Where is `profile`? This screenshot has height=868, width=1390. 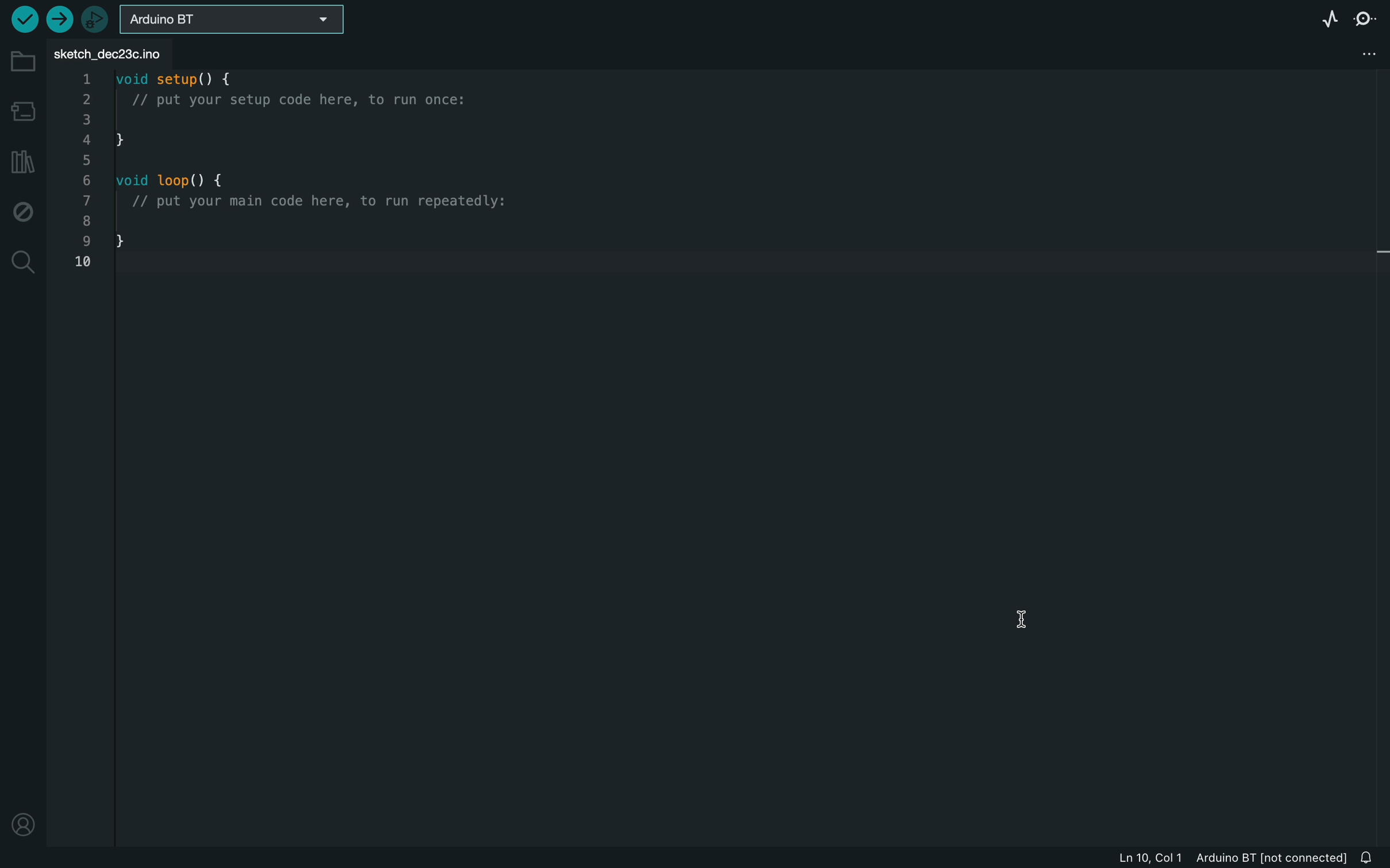 profile is located at coordinates (26, 823).